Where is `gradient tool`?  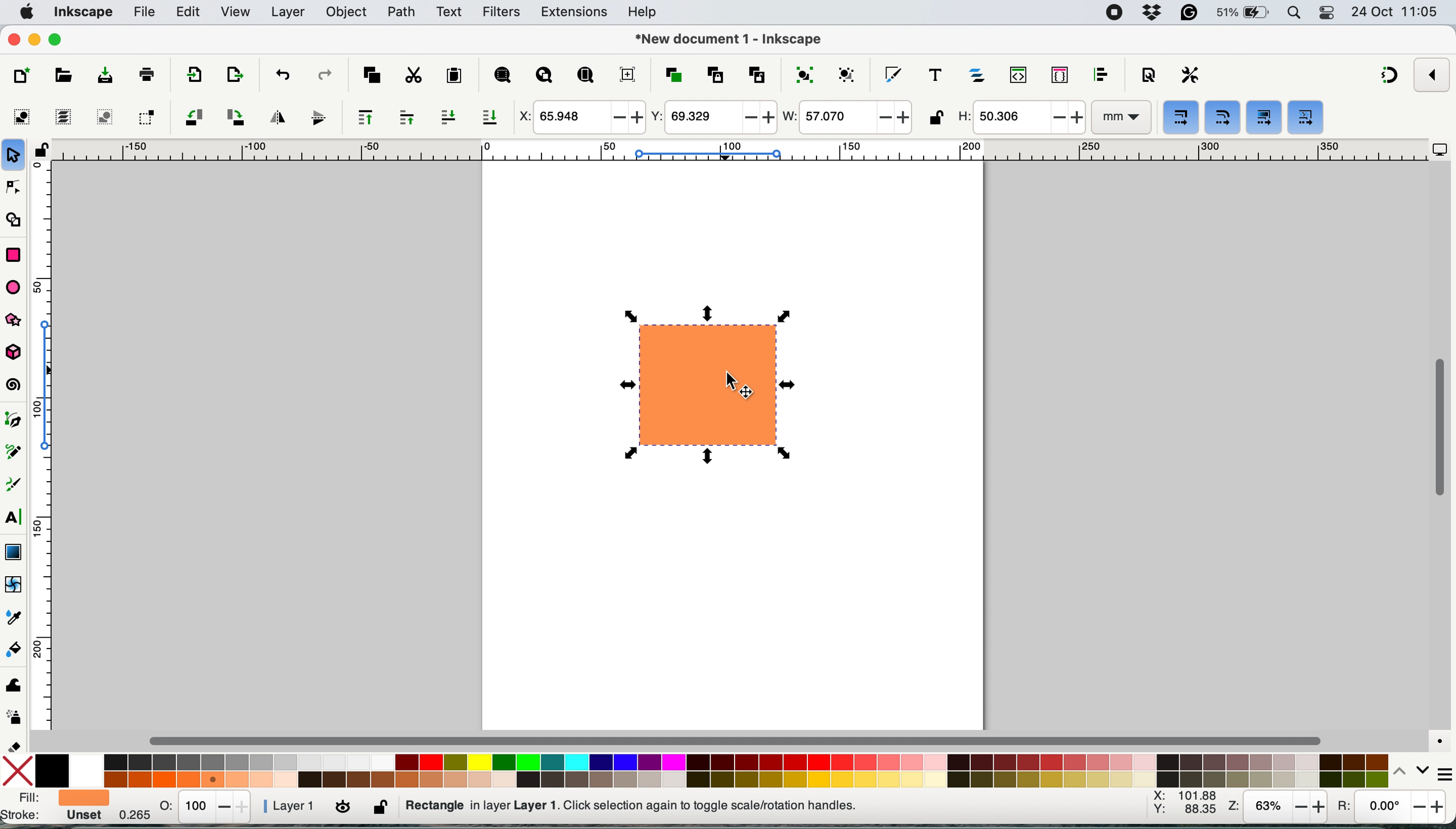
gradient tool is located at coordinates (13, 550).